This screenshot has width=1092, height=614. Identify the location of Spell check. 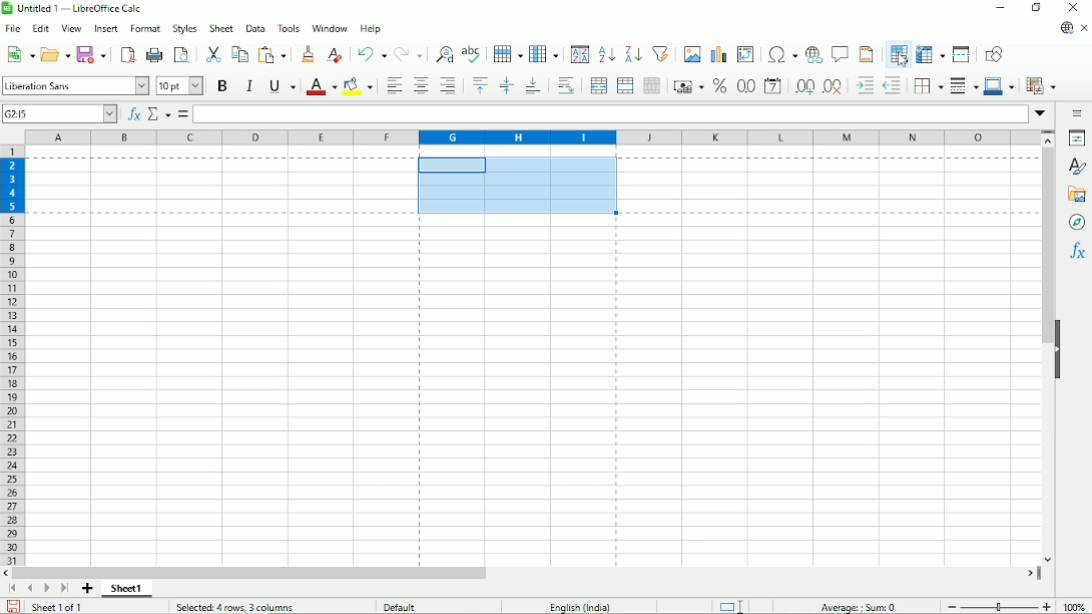
(471, 53).